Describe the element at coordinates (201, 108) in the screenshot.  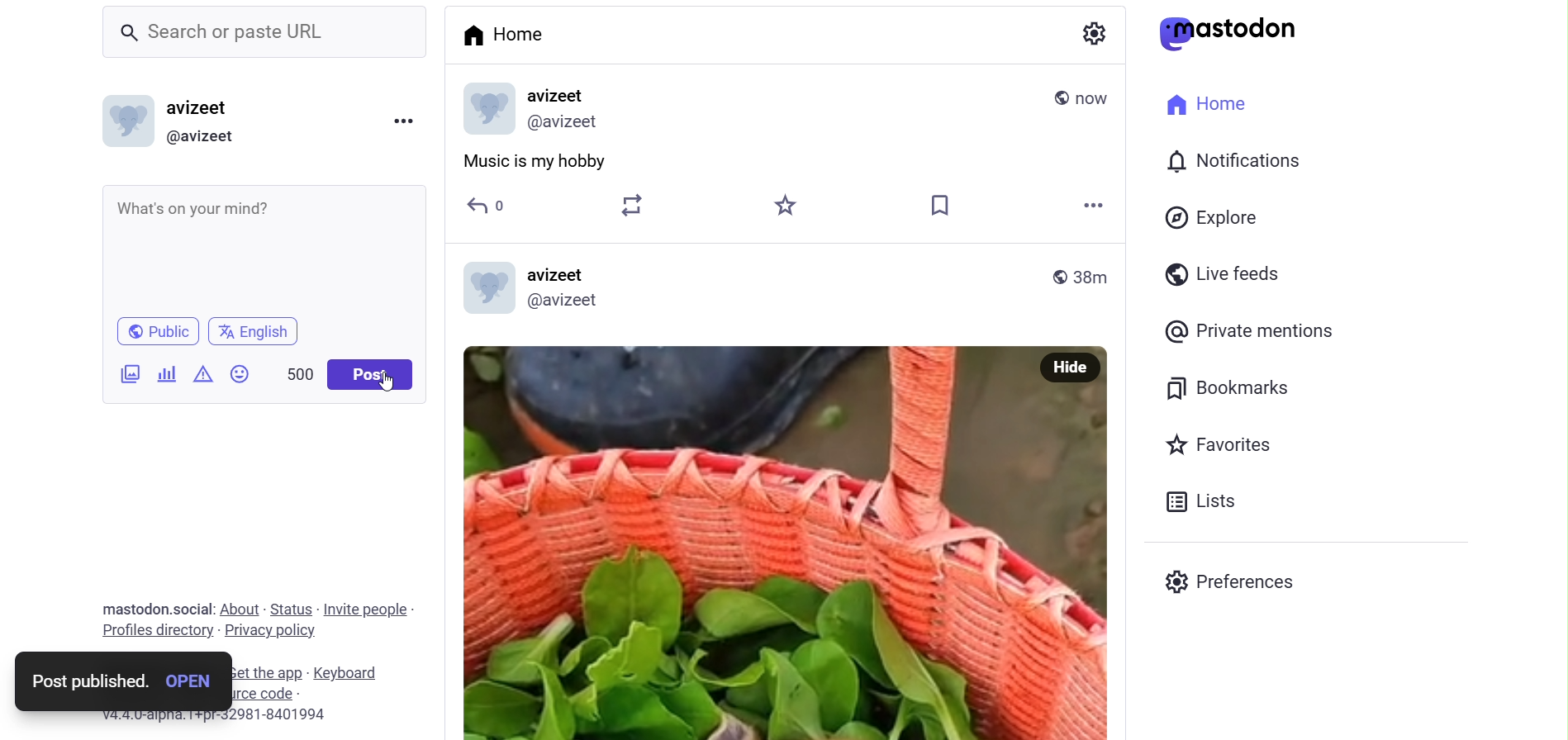
I see `avizeet` at that location.